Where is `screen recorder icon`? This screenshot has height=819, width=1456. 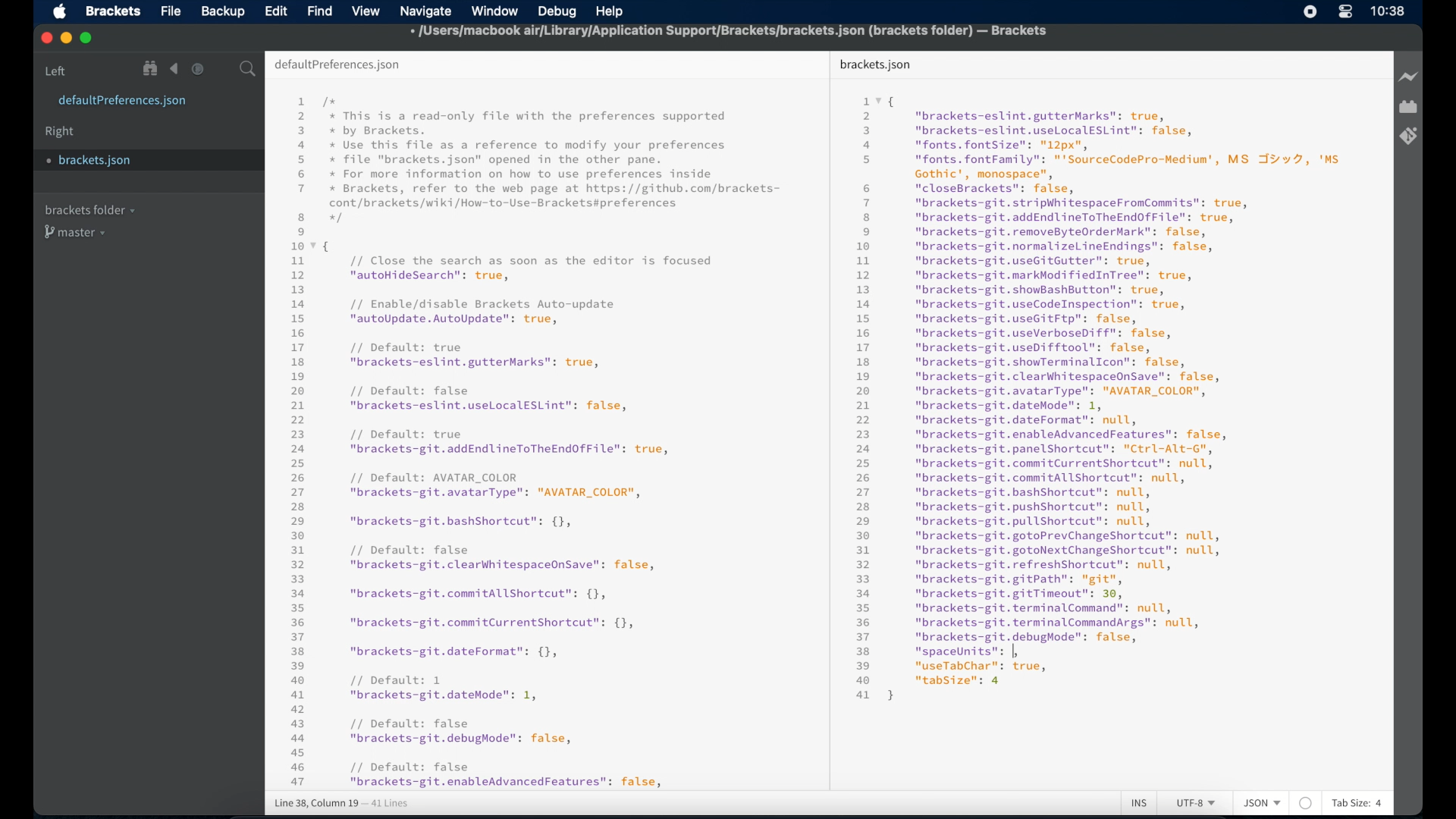
screen recorder icon is located at coordinates (1310, 11).